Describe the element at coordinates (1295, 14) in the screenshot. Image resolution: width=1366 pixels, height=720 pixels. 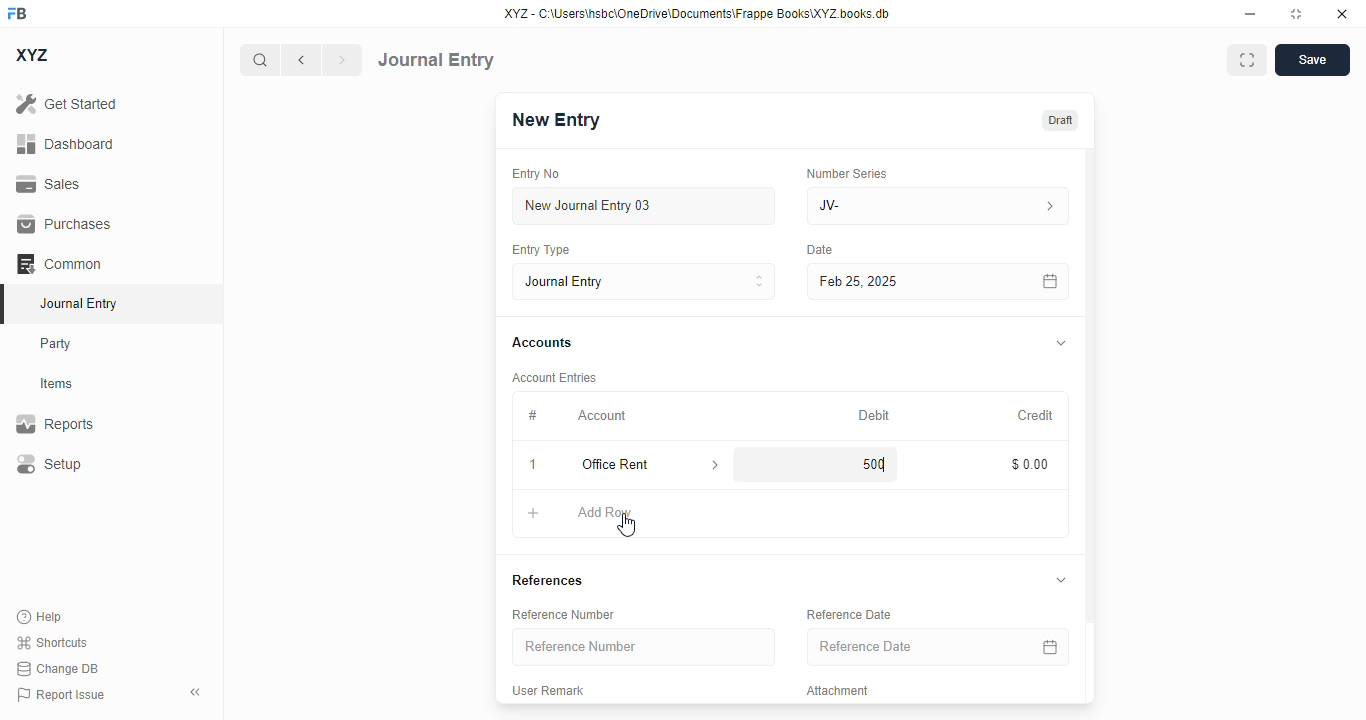
I see `toggle maximize` at that location.